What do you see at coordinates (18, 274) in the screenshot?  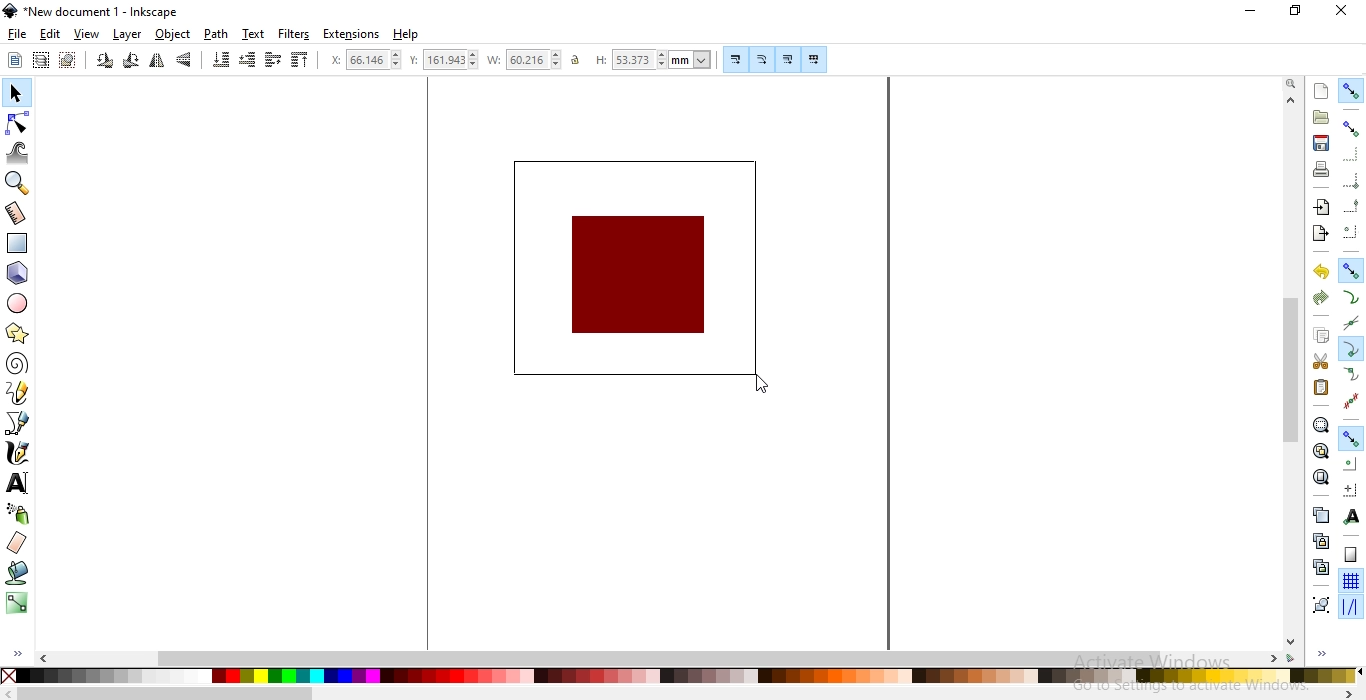 I see `create 3d boxes` at bounding box center [18, 274].